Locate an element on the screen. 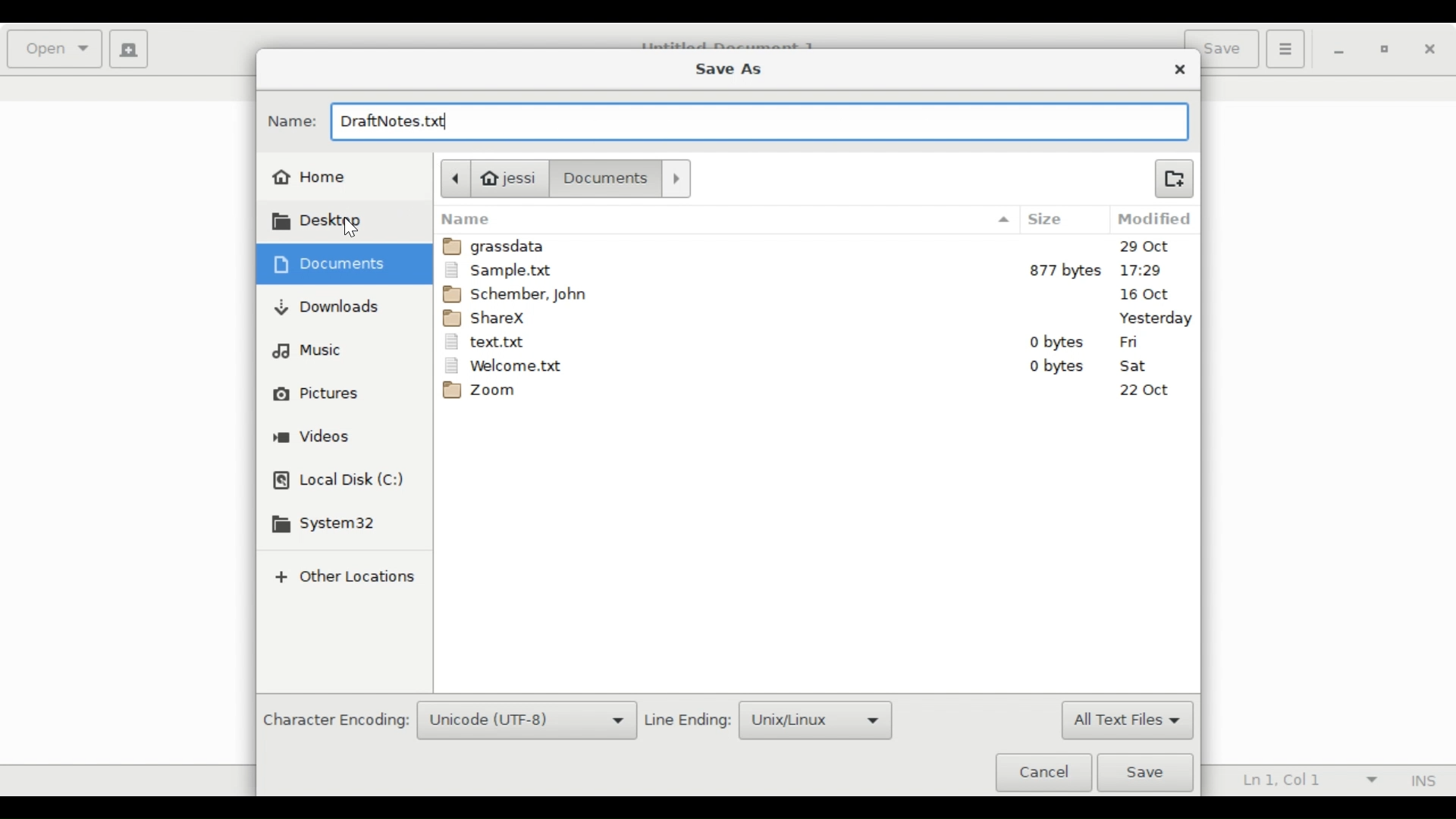  Zoom 22 Oct is located at coordinates (818, 393).